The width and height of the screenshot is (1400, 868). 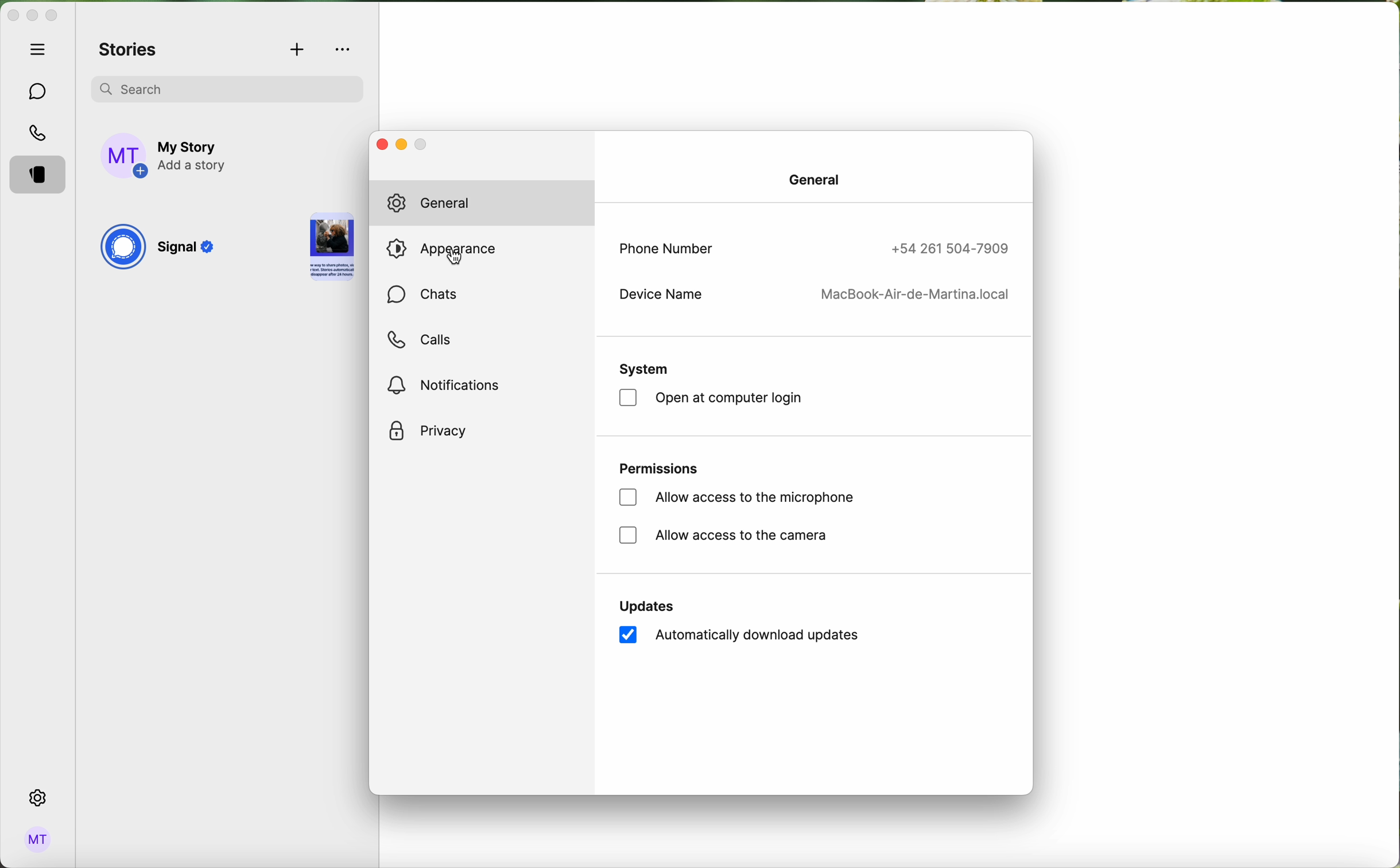 What do you see at coordinates (52, 15) in the screenshot?
I see `maximize` at bounding box center [52, 15].